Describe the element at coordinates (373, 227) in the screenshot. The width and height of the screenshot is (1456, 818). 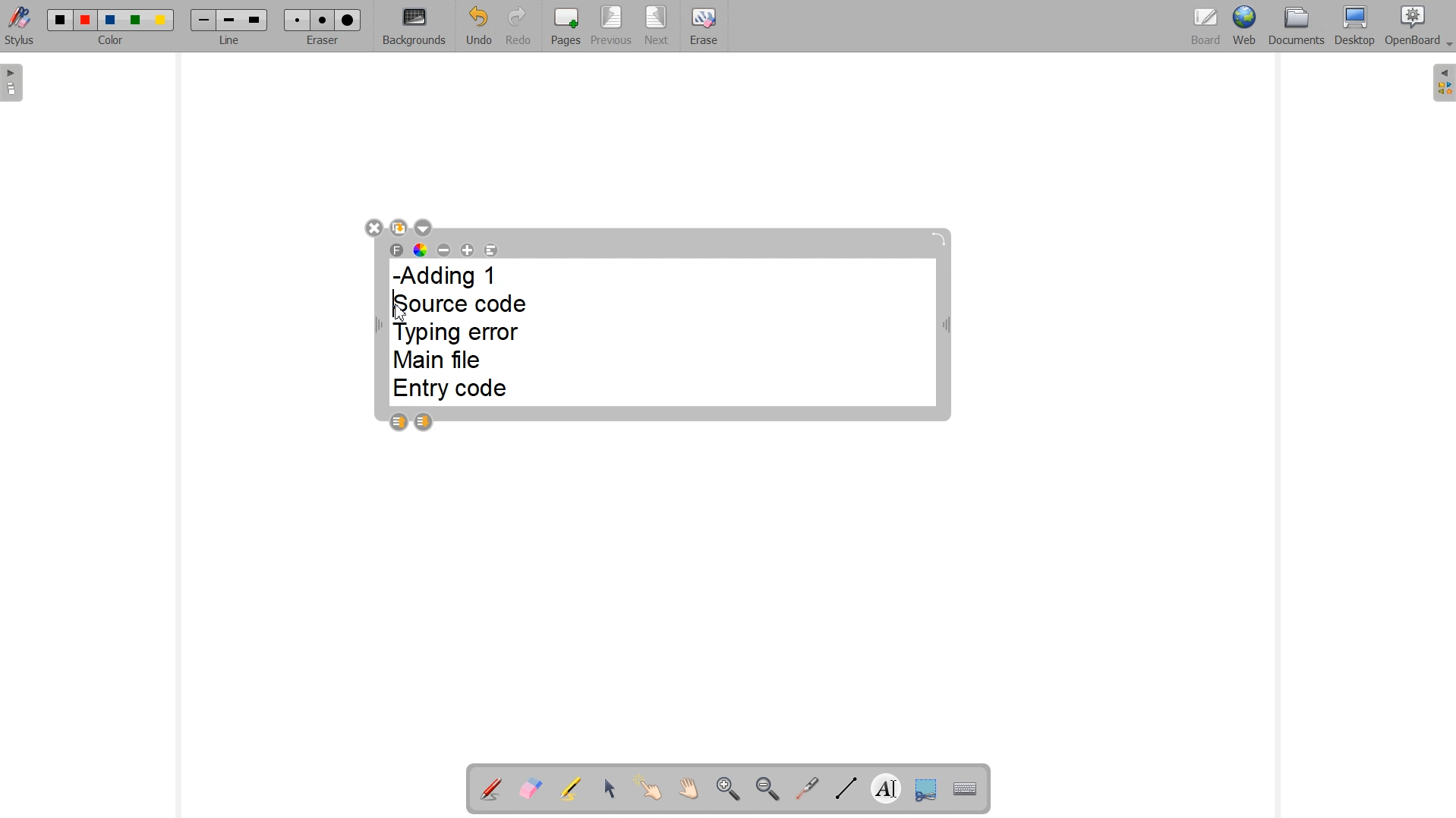
I see `Close` at that location.